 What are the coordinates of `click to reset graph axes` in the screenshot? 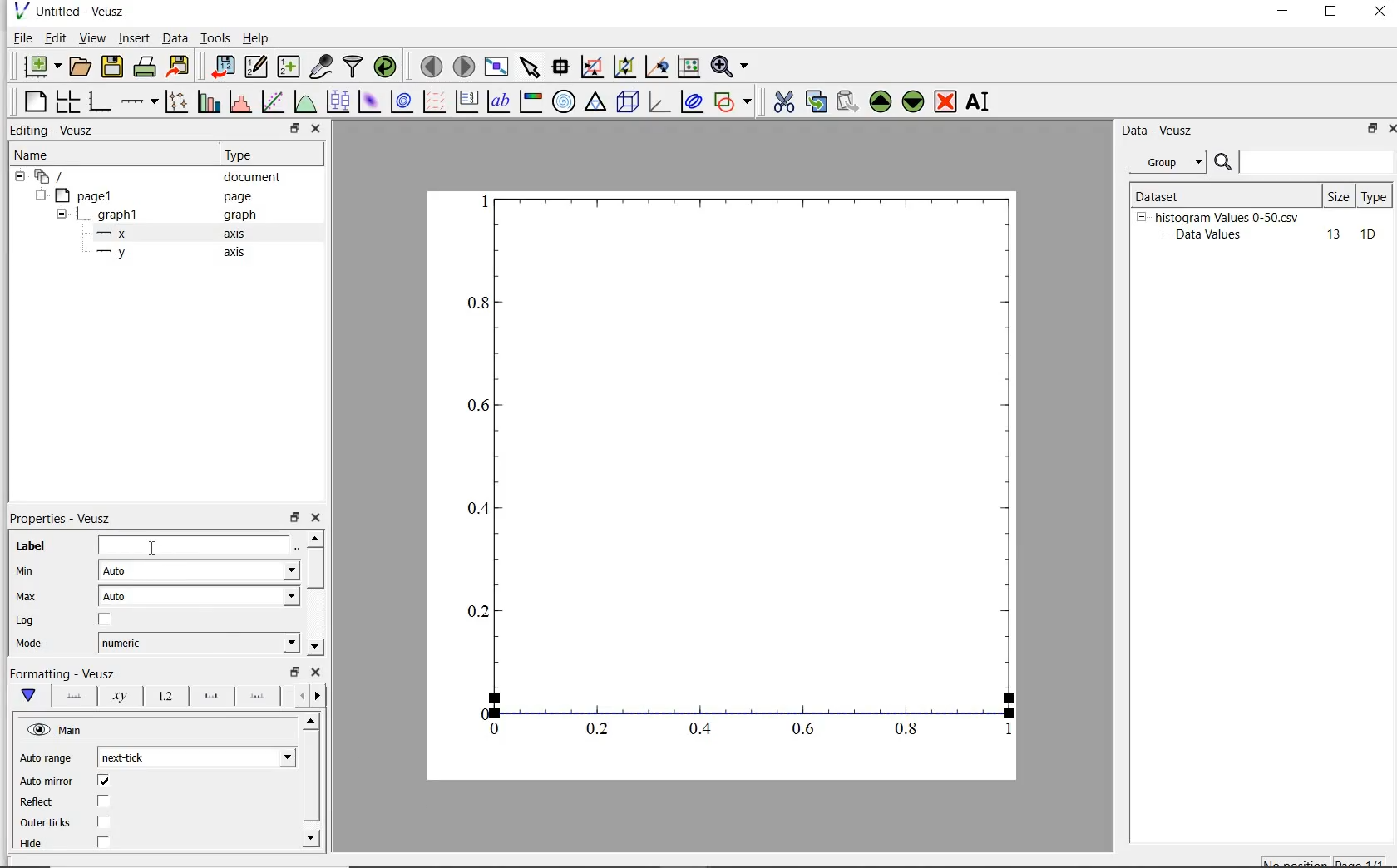 It's located at (591, 67).